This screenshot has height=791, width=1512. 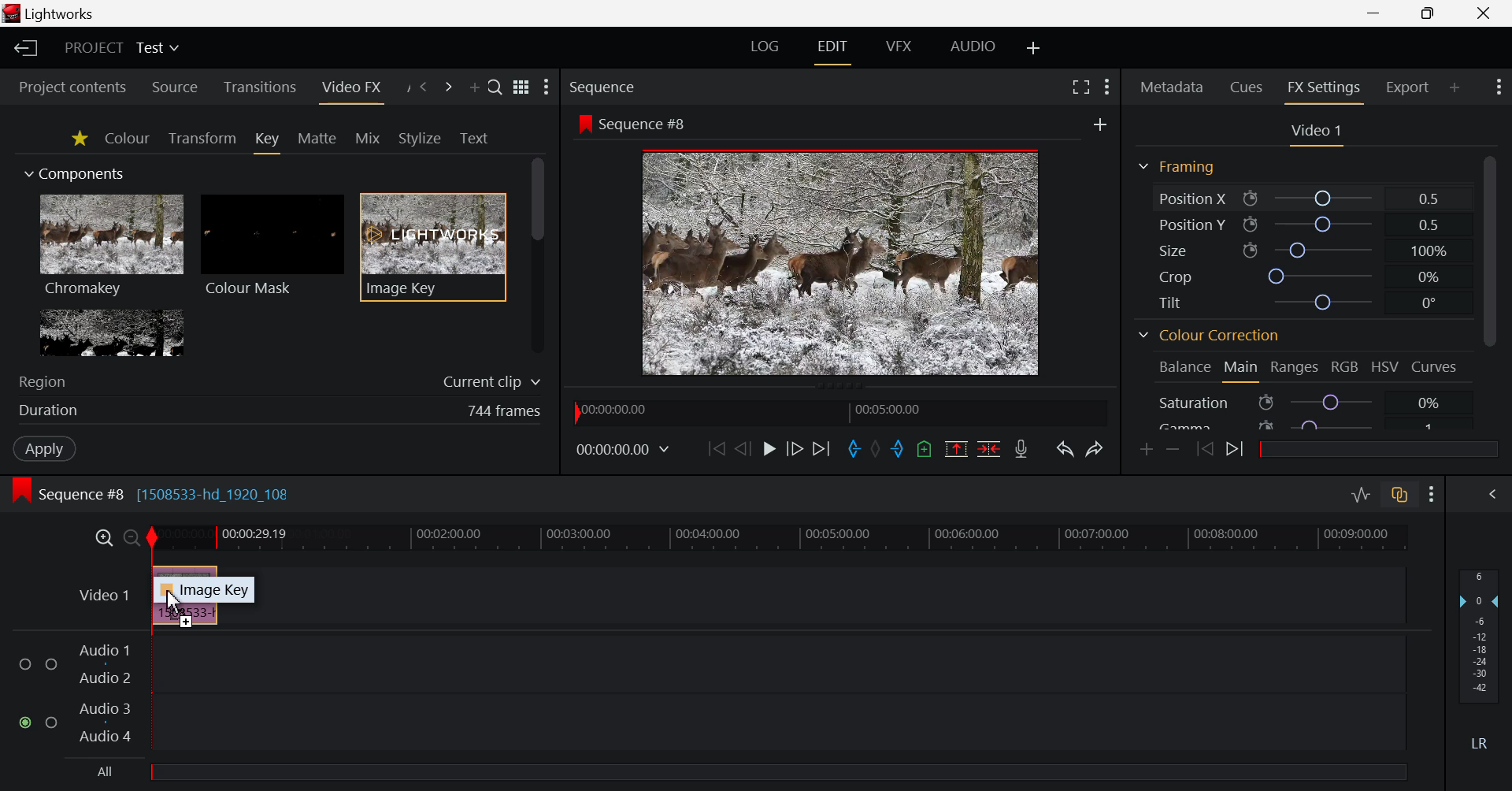 What do you see at coordinates (897, 49) in the screenshot?
I see `VFX Layout` at bounding box center [897, 49].